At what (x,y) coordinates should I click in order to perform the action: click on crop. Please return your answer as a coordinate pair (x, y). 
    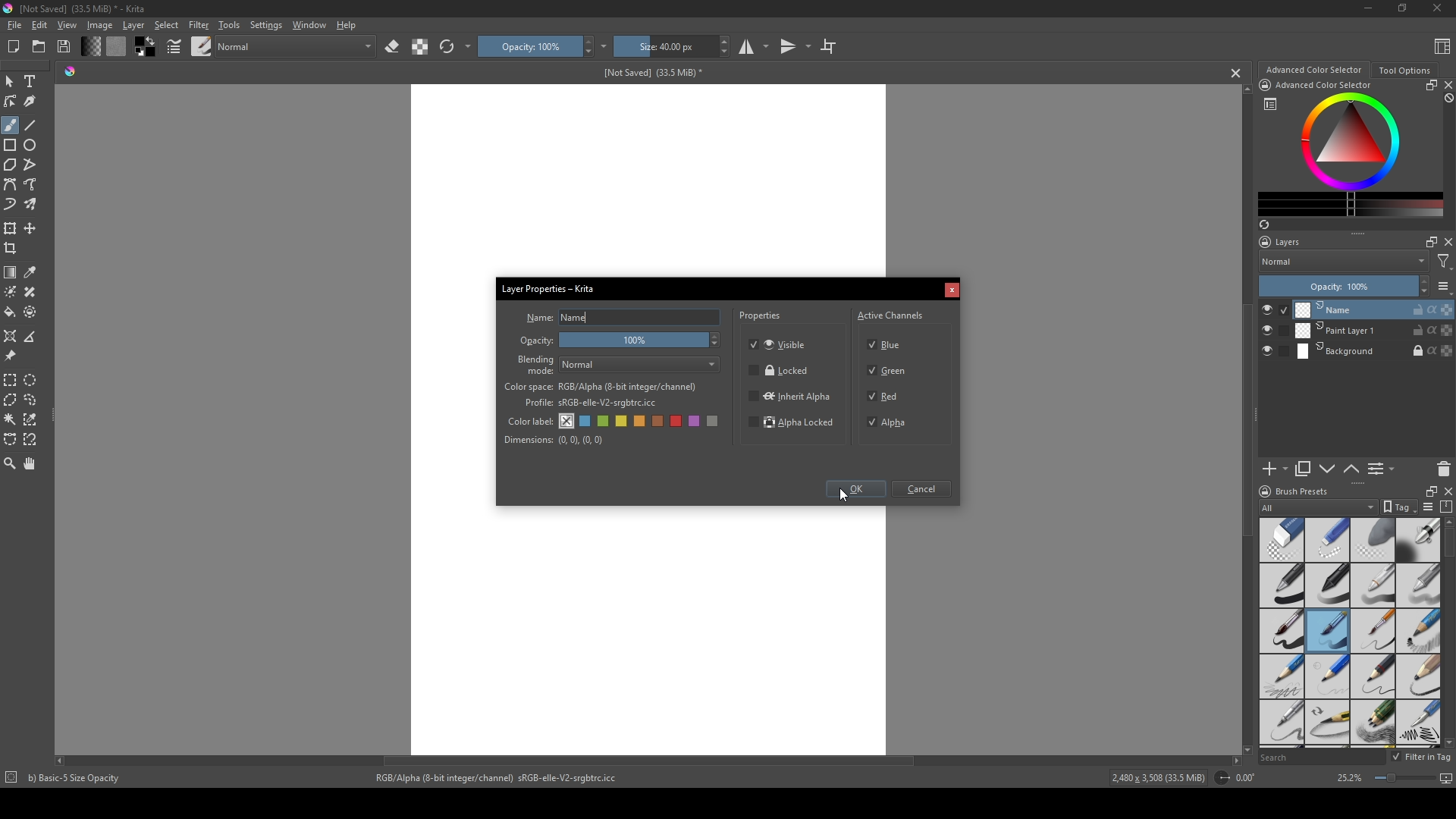
    Looking at the image, I should click on (14, 248).